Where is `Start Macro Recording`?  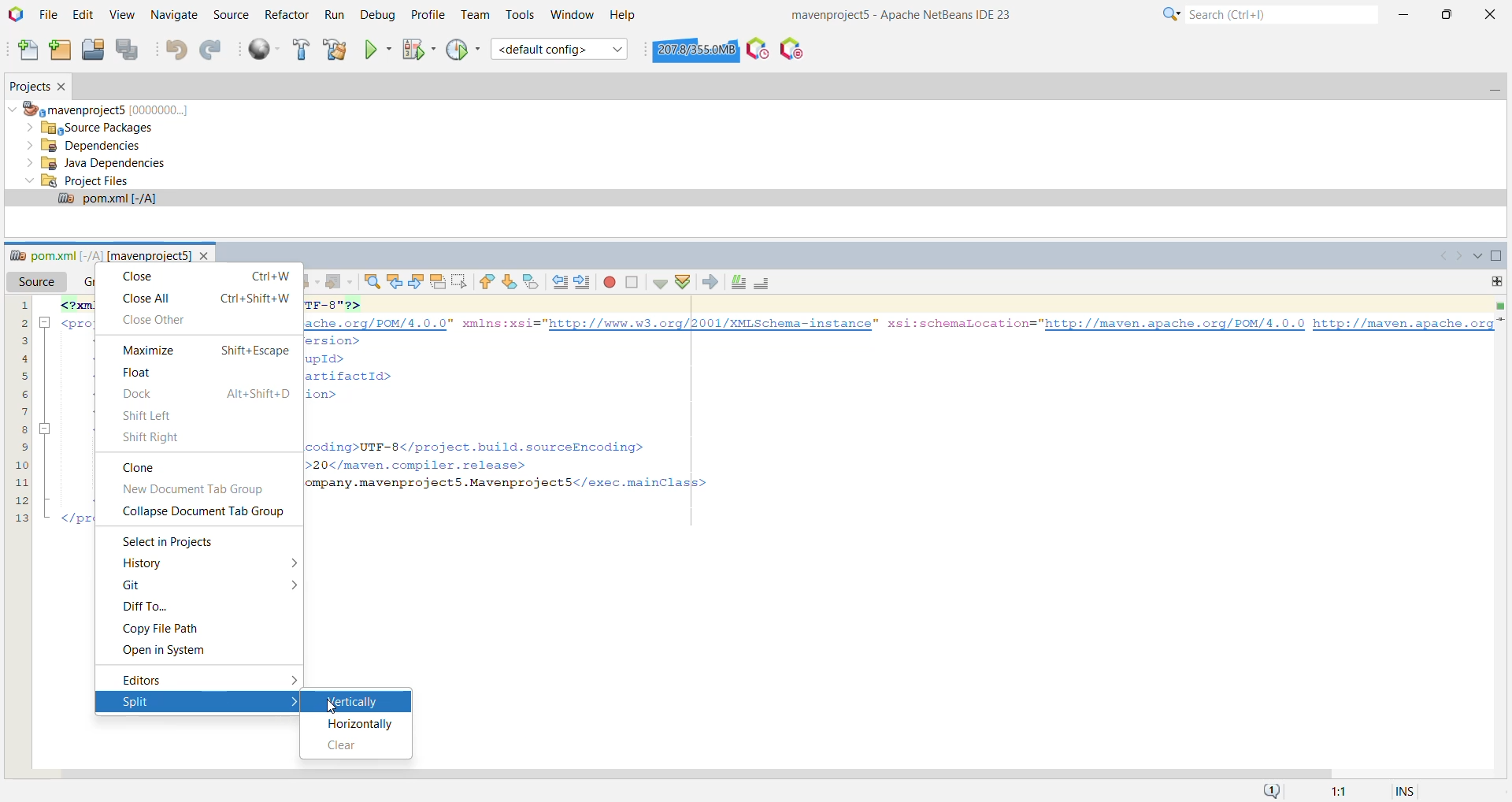
Start Macro Recording is located at coordinates (609, 283).